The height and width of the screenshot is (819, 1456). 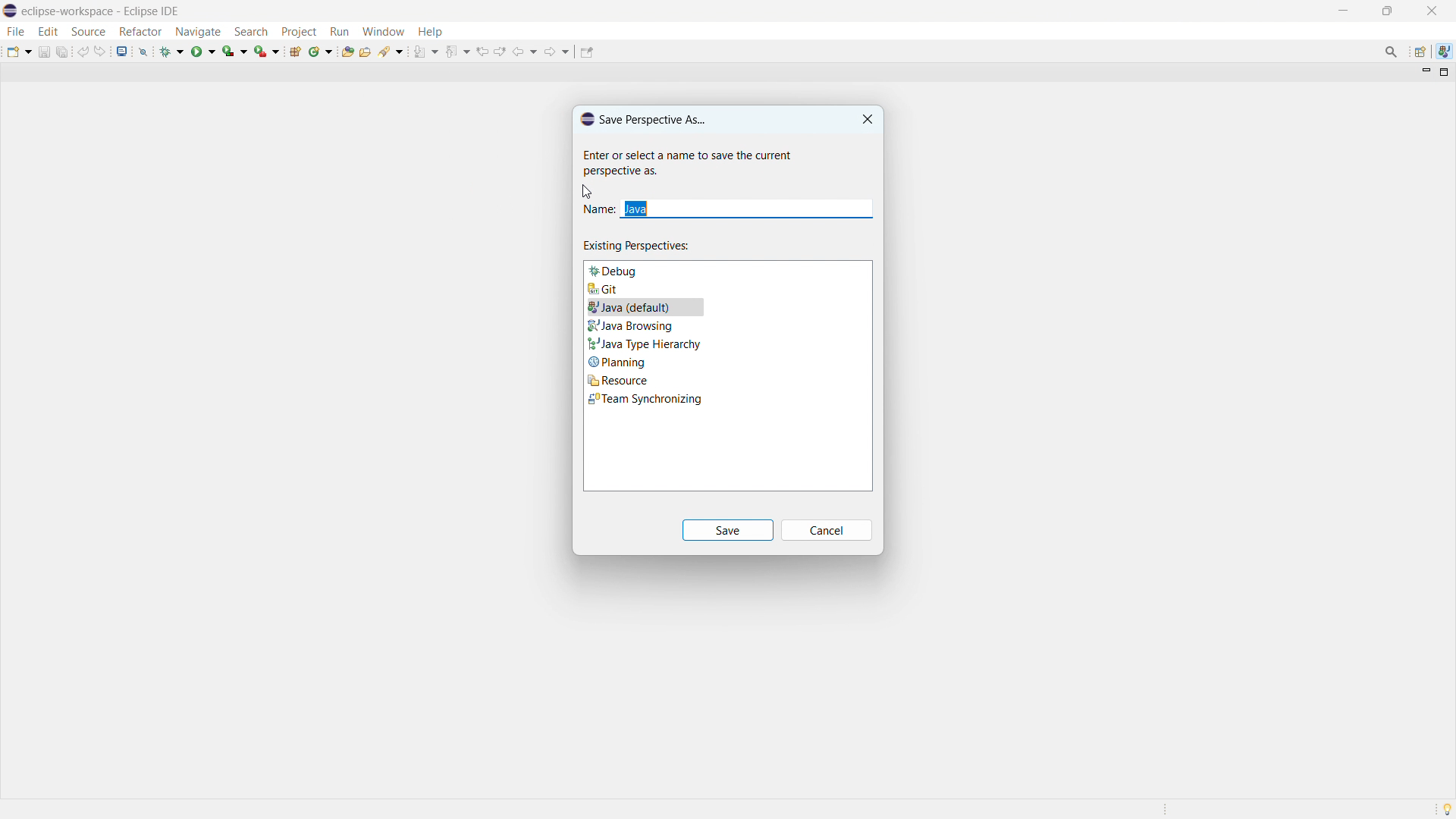 What do you see at coordinates (727, 344) in the screenshot?
I see `Java type hierarchy` at bounding box center [727, 344].